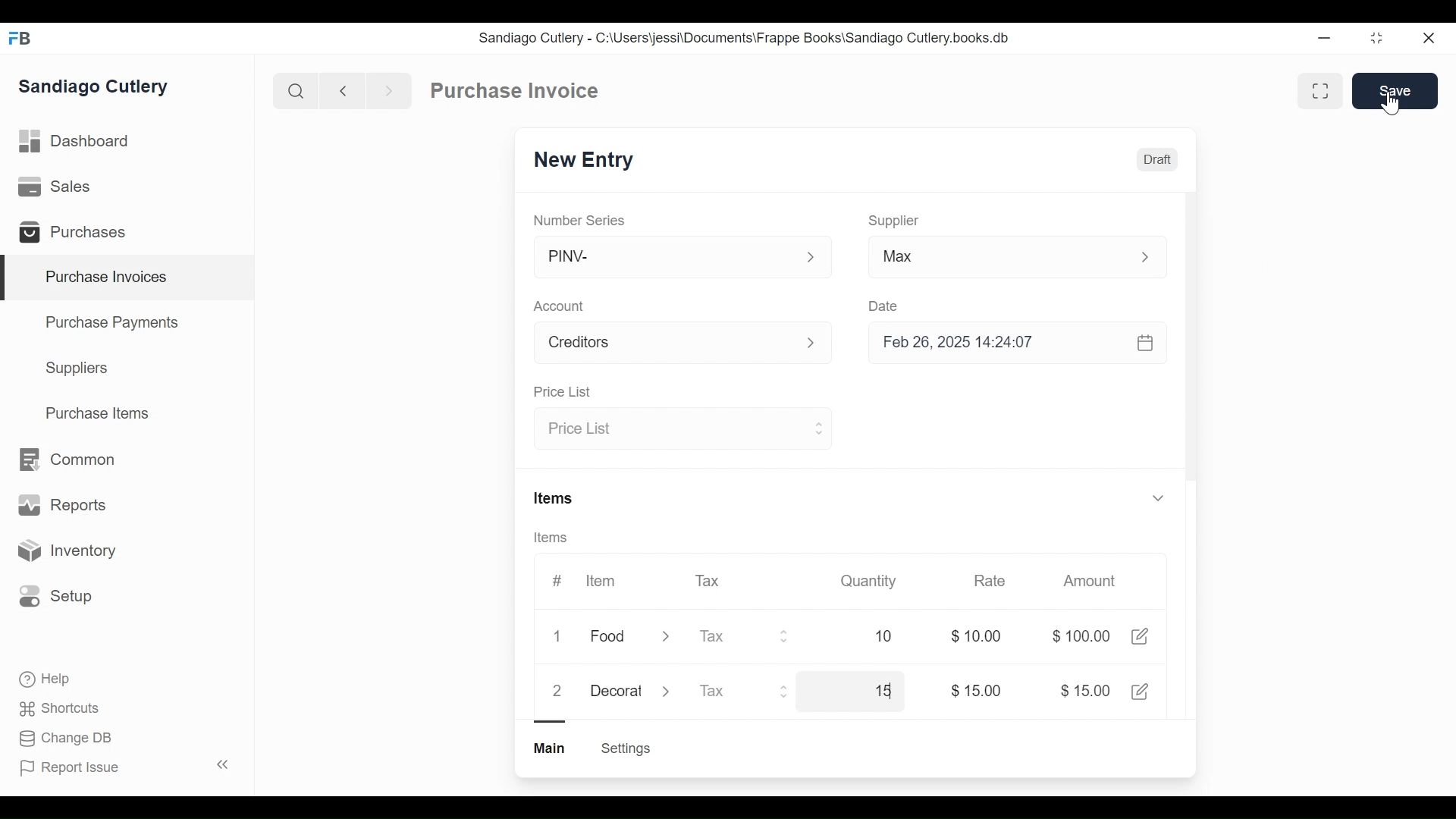  What do you see at coordinates (1375, 39) in the screenshot?
I see `restore` at bounding box center [1375, 39].